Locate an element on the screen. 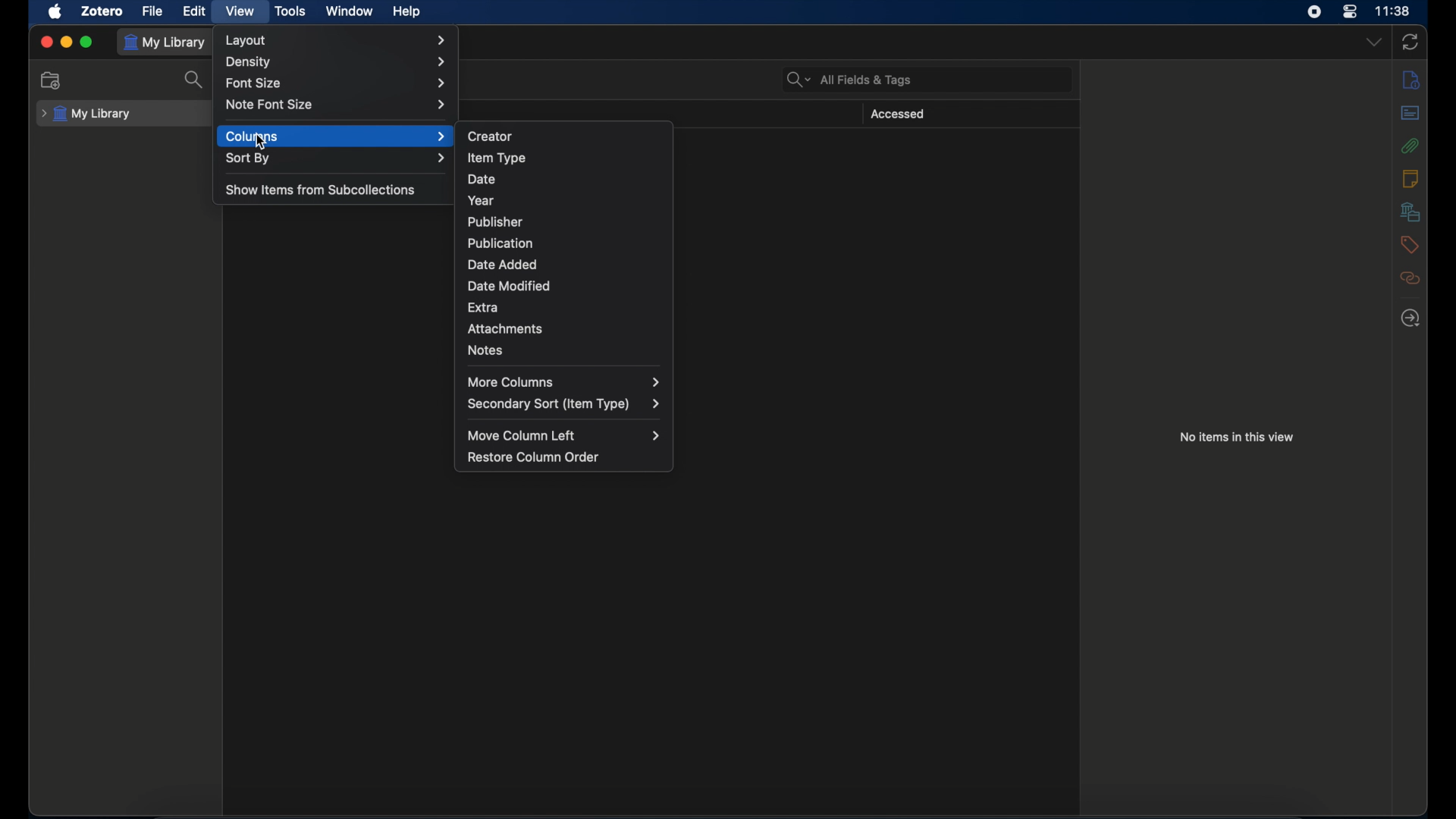 This screenshot has width=1456, height=819. control center is located at coordinates (1350, 11).